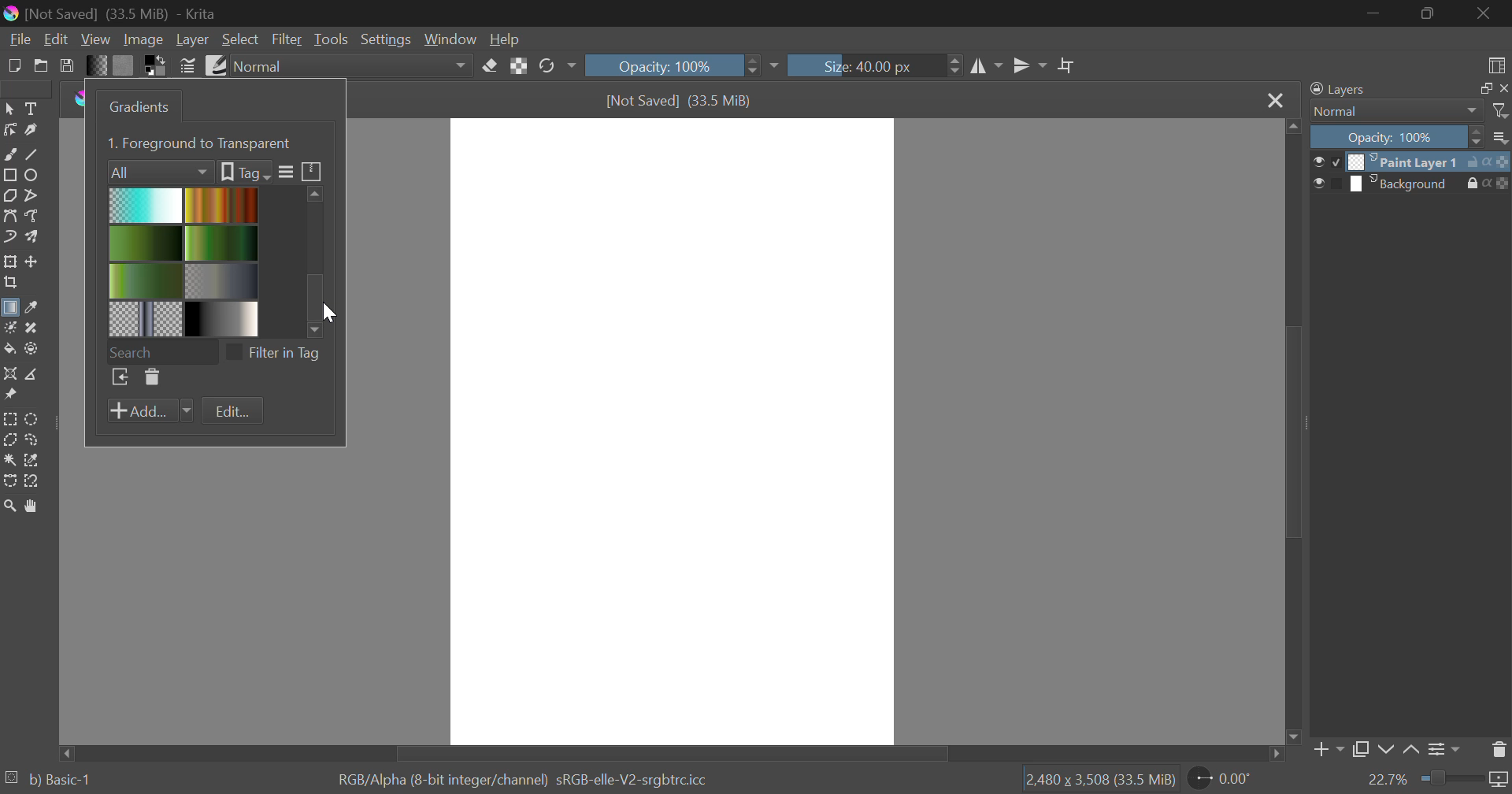  I want to click on Gradient 8, so click(219, 318).